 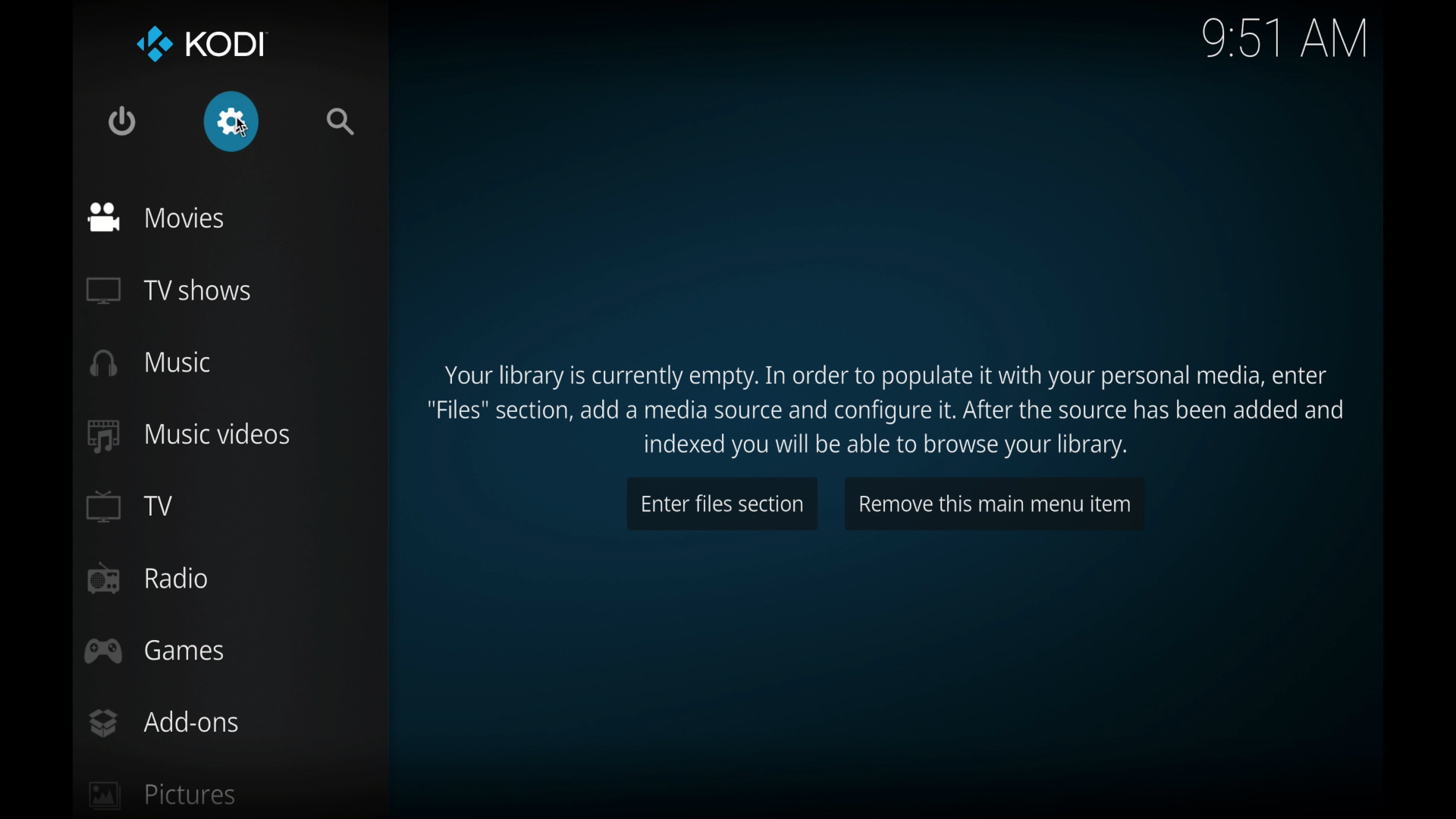 I want to click on search, so click(x=343, y=121).